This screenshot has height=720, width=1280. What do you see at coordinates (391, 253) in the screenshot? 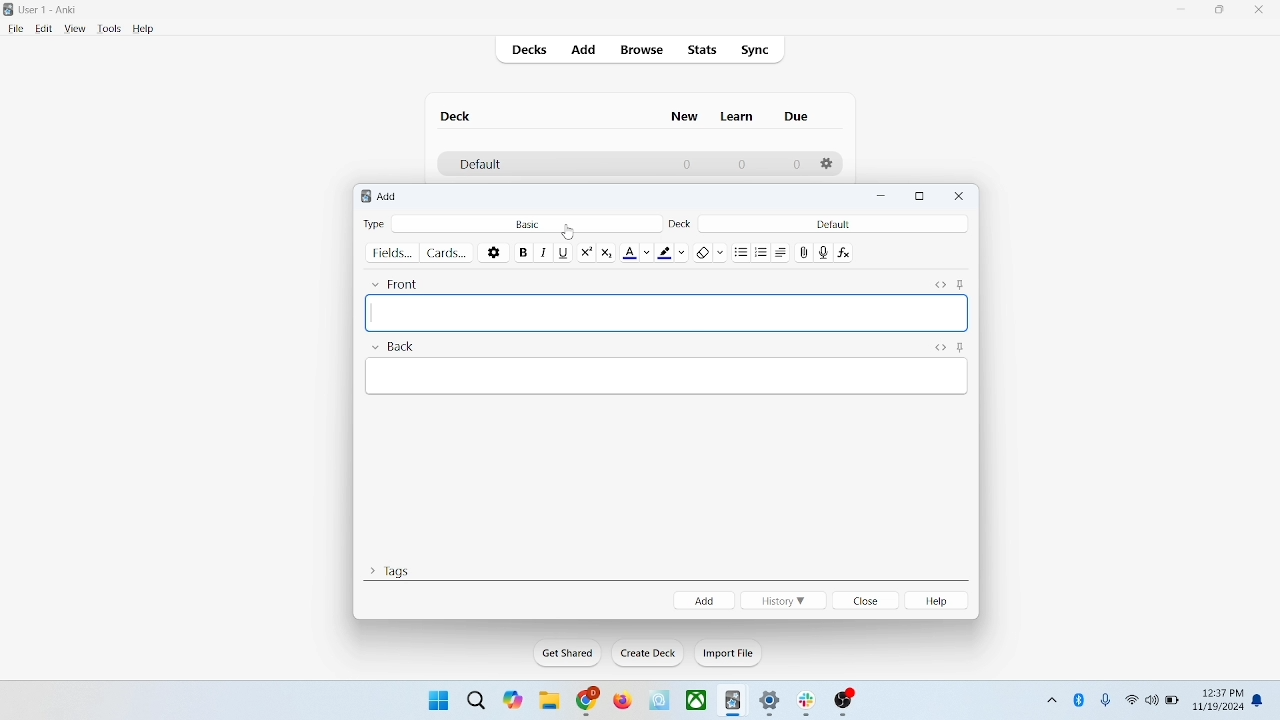
I see `fields` at bounding box center [391, 253].